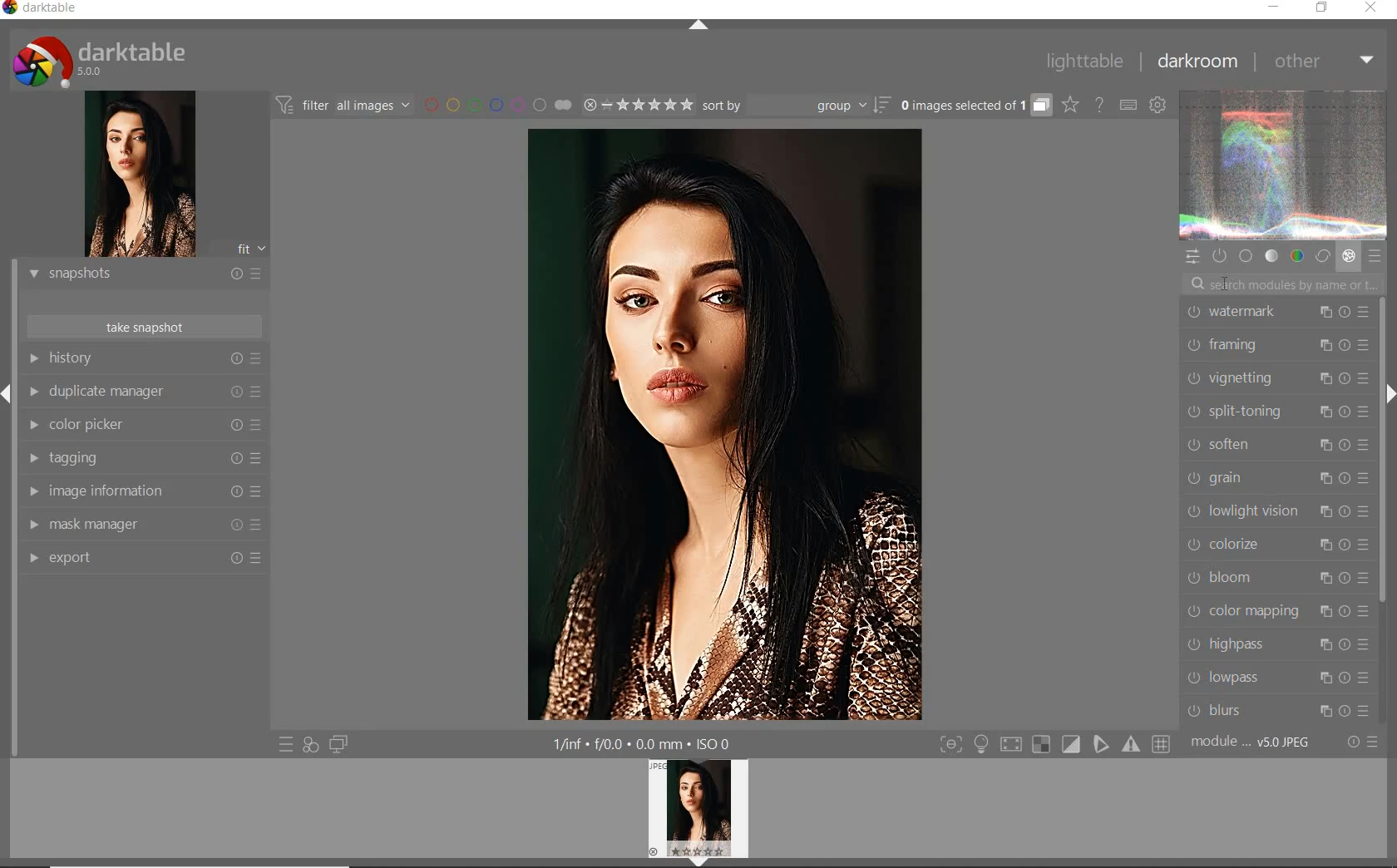 Image resolution: width=1397 pixels, height=868 pixels. What do you see at coordinates (1275, 312) in the screenshot?
I see `WATERMARK` at bounding box center [1275, 312].